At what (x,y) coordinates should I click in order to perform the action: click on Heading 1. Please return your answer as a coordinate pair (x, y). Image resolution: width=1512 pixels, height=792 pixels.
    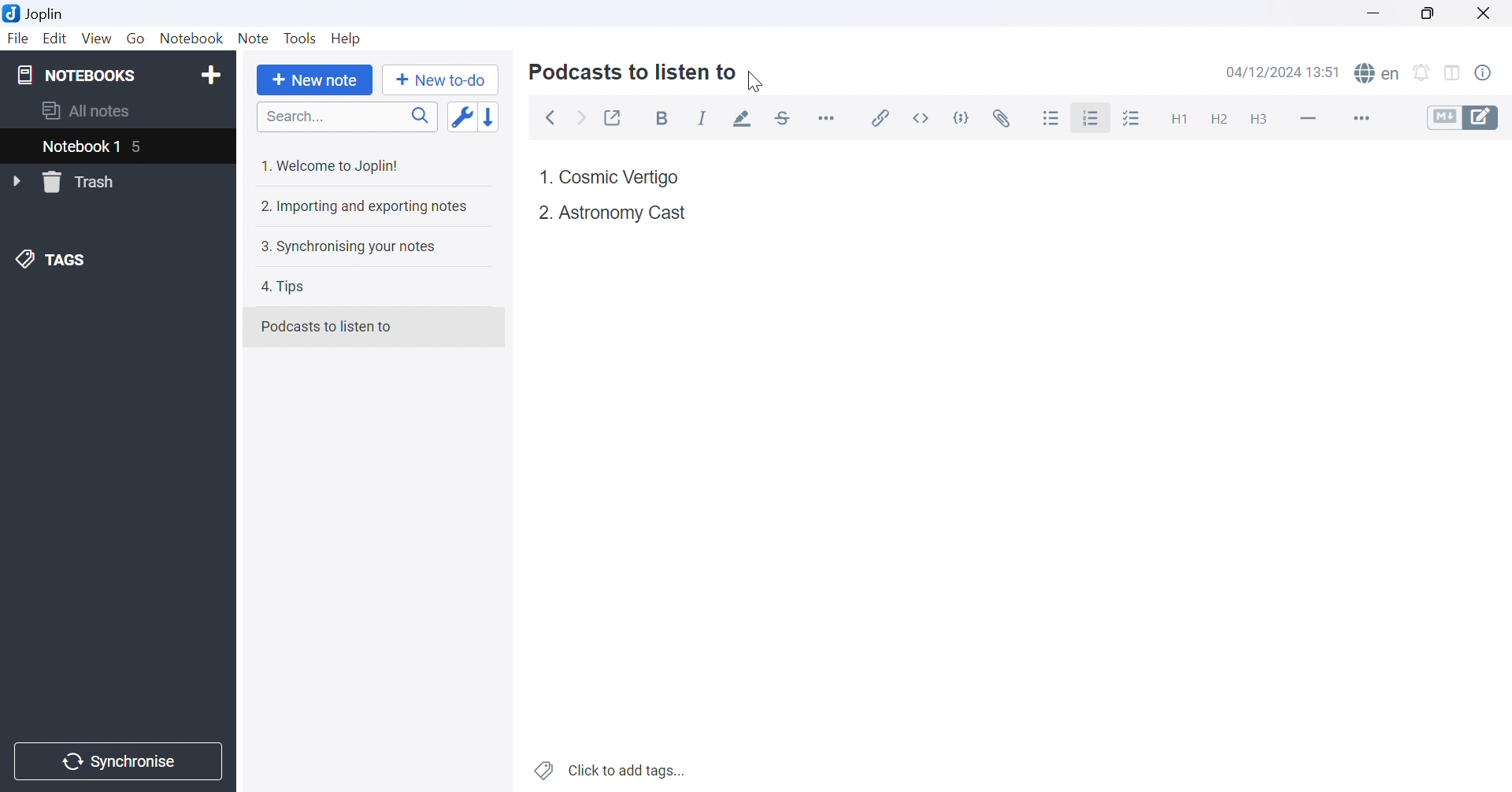
    Looking at the image, I should click on (1174, 116).